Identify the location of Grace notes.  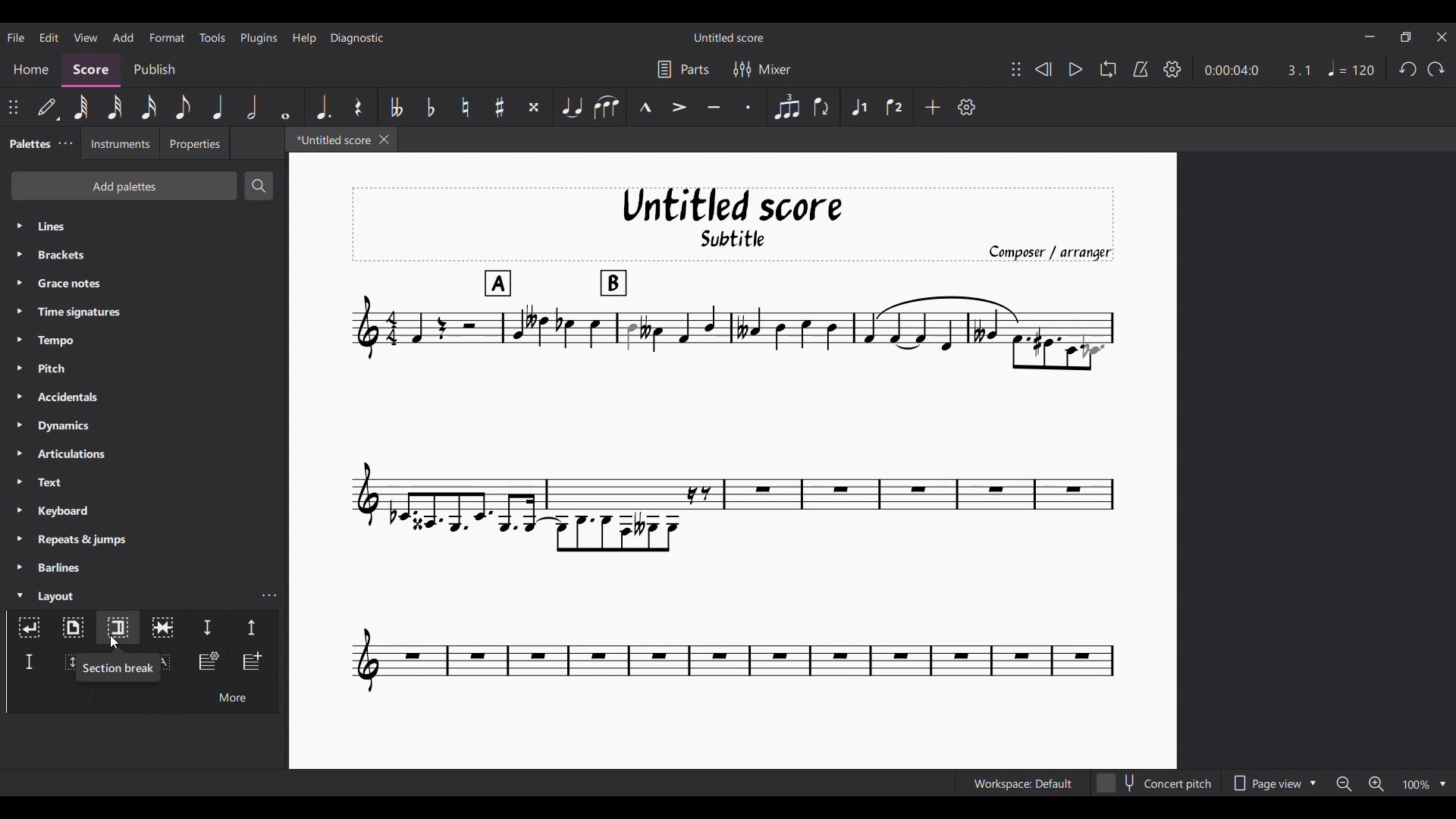
(144, 283).